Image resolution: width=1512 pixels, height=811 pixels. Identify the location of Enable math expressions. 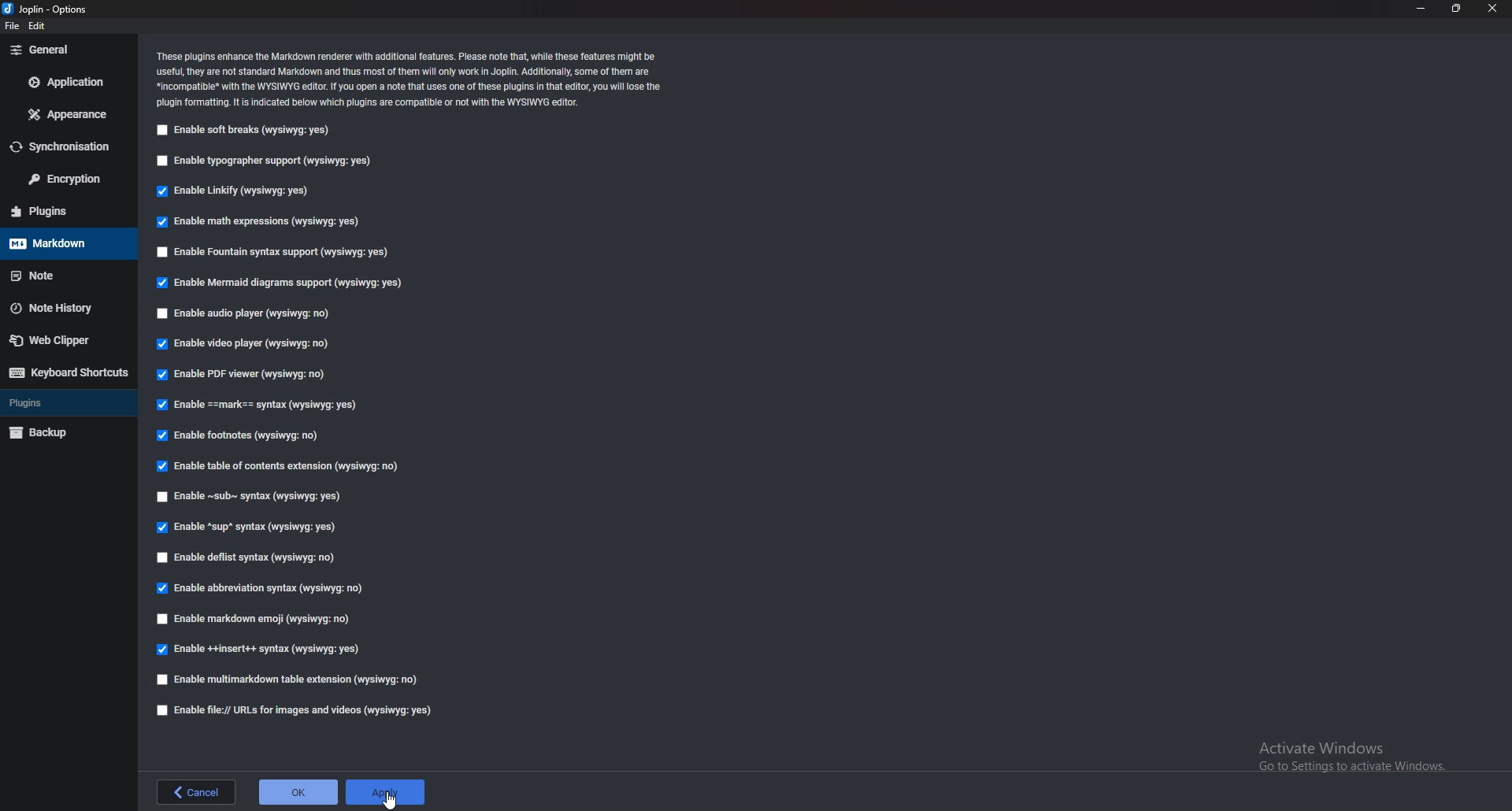
(265, 221).